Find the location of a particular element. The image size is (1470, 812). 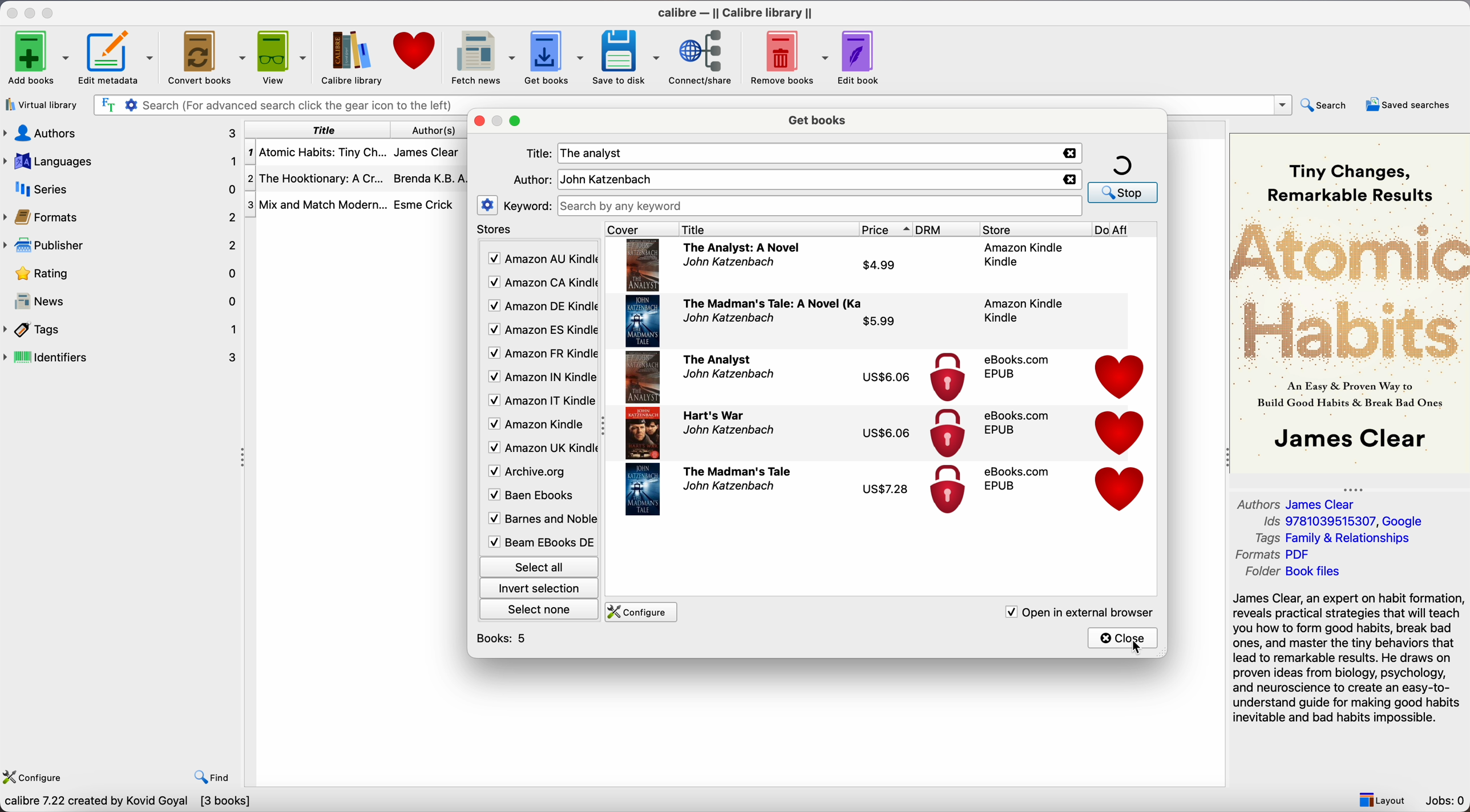

minimize app is located at coordinates (32, 11).